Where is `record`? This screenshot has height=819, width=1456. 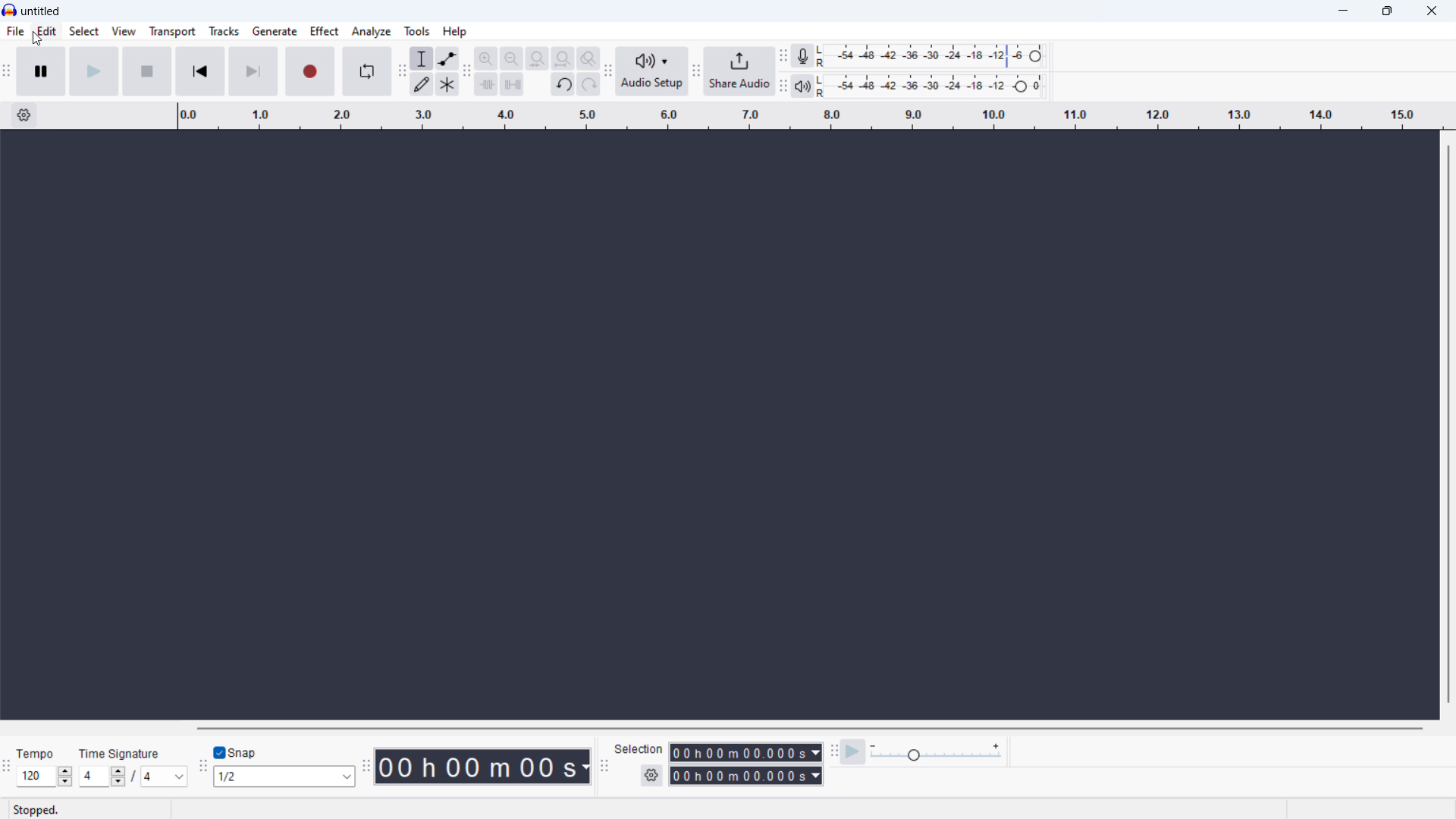 record is located at coordinates (311, 72).